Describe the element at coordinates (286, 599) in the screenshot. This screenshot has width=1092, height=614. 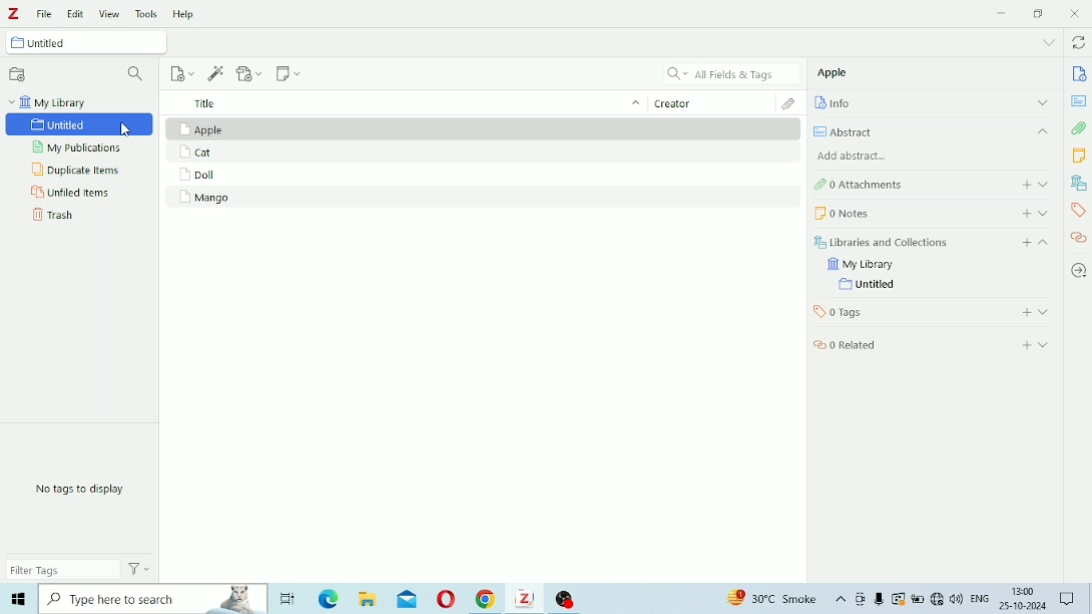
I see `` at that location.